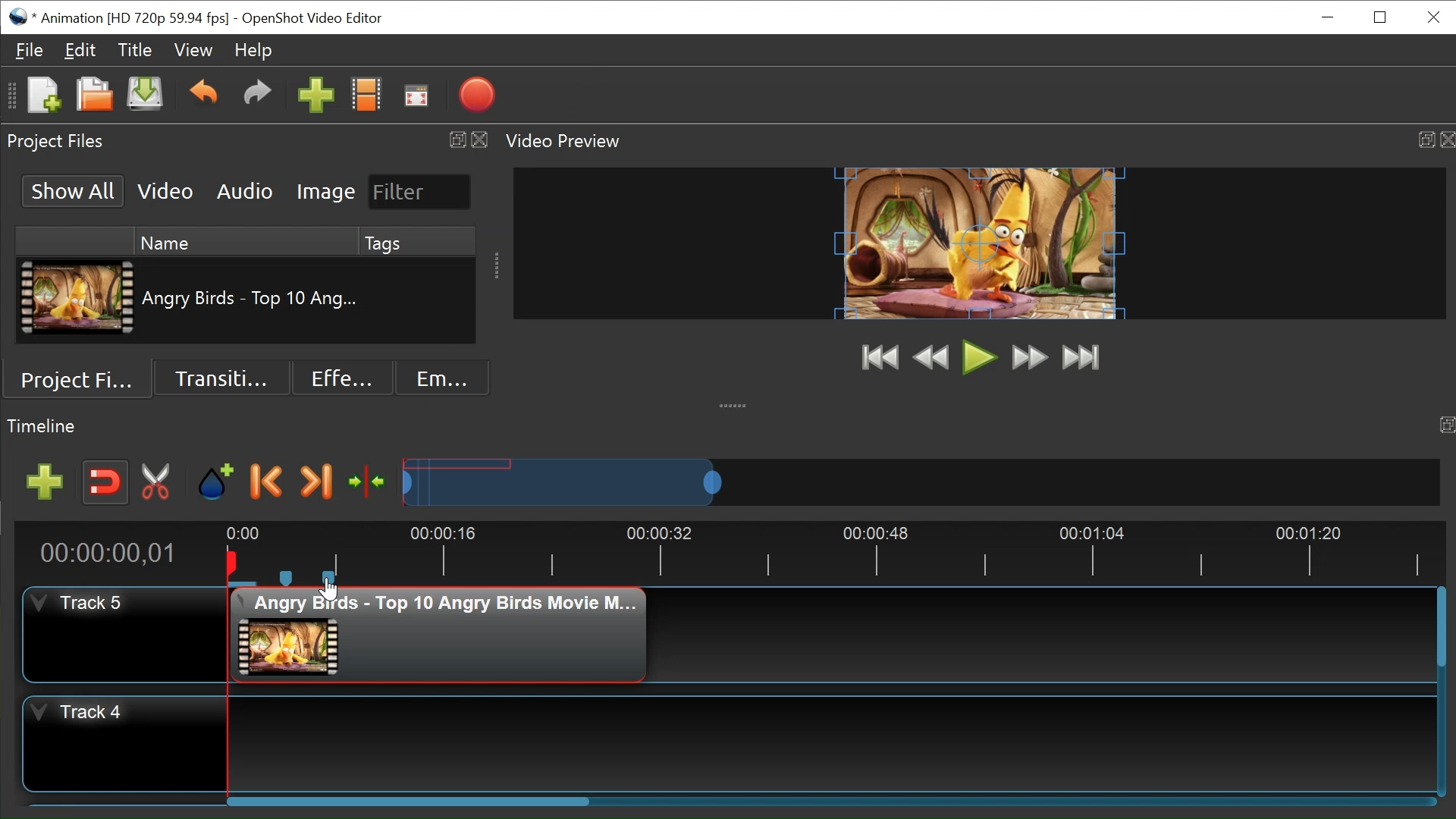 The height and width of the screenshot is (819, 1456). Describe the element at coordinates (156, 483) in the screenshot. I see `Razor` at that location.